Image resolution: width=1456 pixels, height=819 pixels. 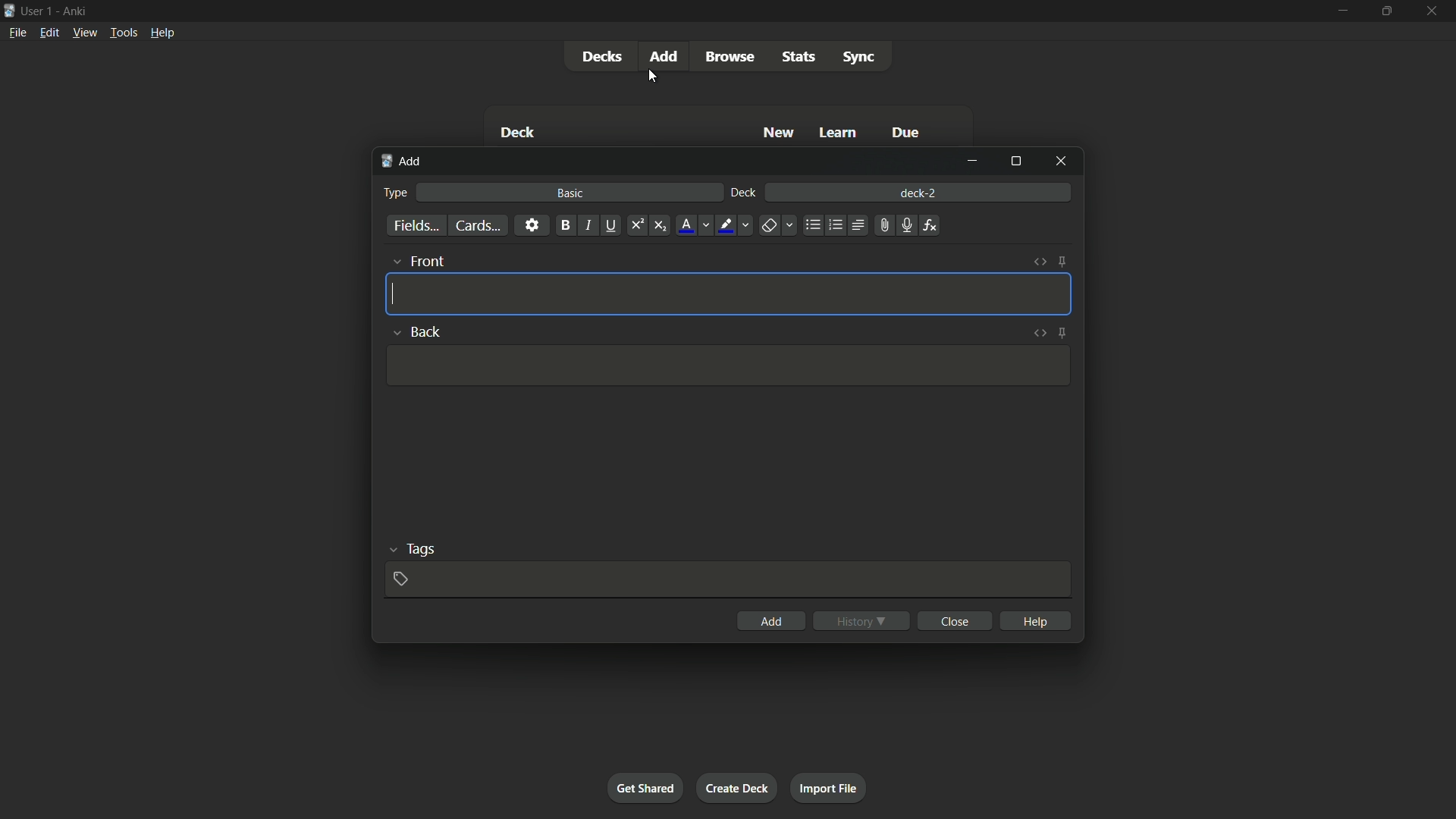 What do you see at coordinates (745, 193) in the screenshot?
I see `deck` at bounding box center [745, 193].